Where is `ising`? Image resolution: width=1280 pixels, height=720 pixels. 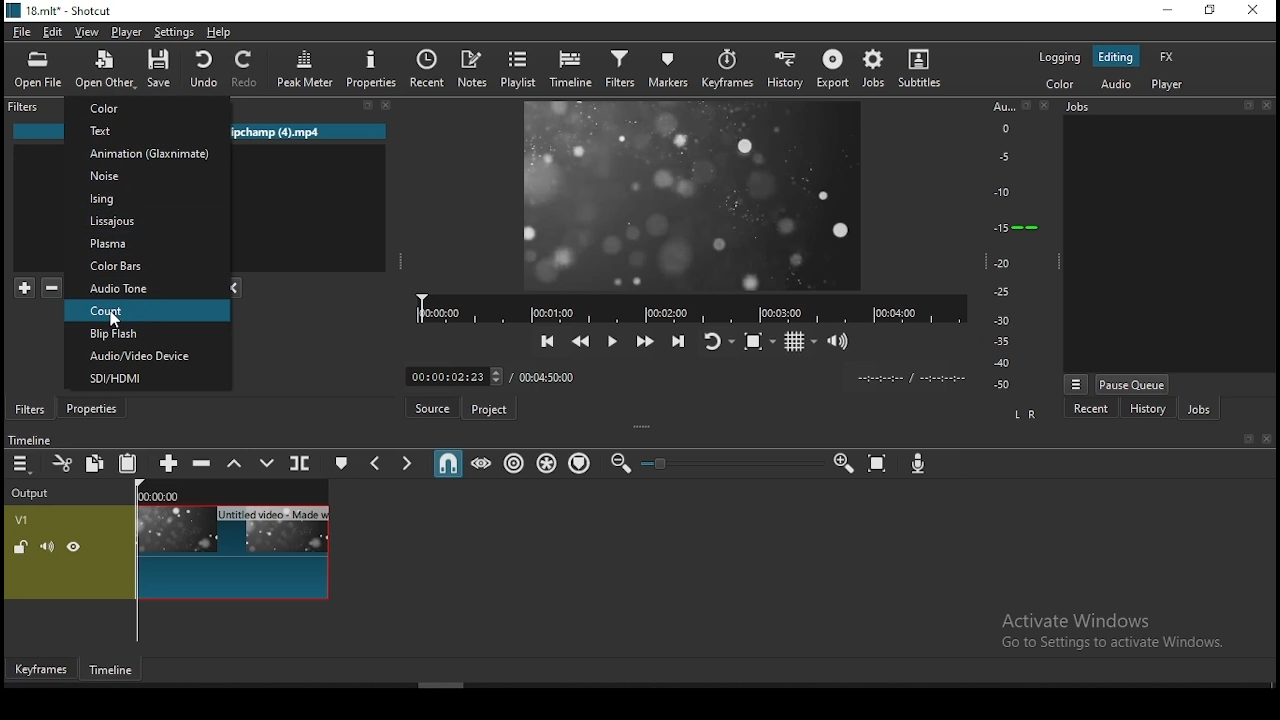 ising is located at coordinates (148, 199).